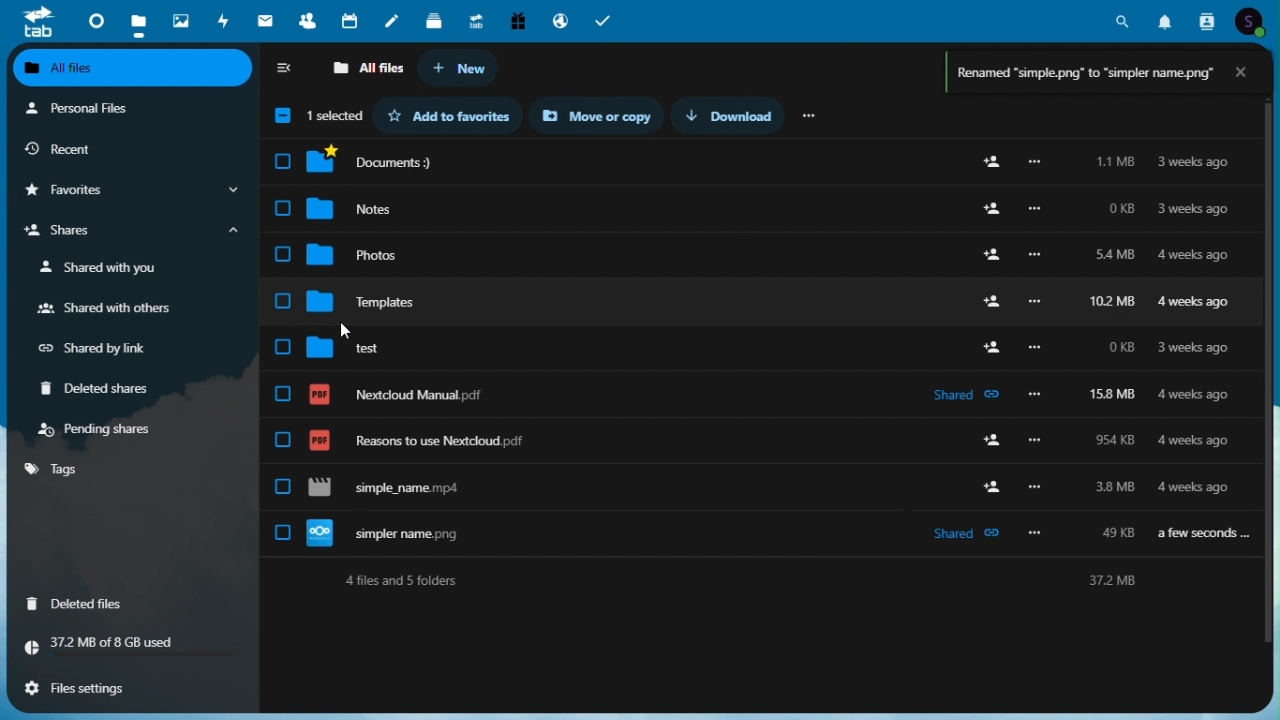  I want to click on upgrade, so click(478, 19).